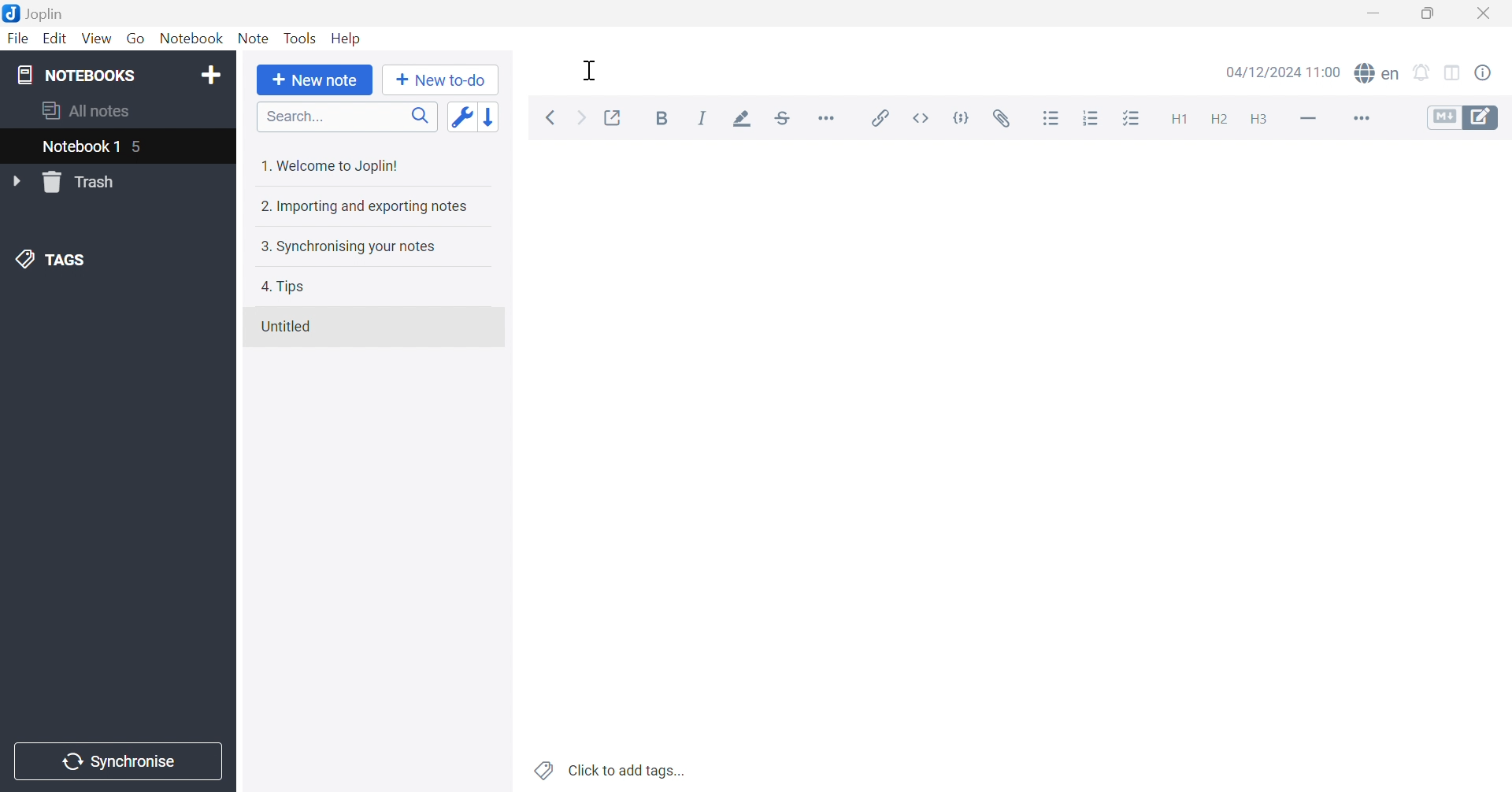 This screenshot has height=792, width=1512. What do you see at coordinates (965, 117) in the screenshot?
I see `Code` at bounding box center [965, 117].